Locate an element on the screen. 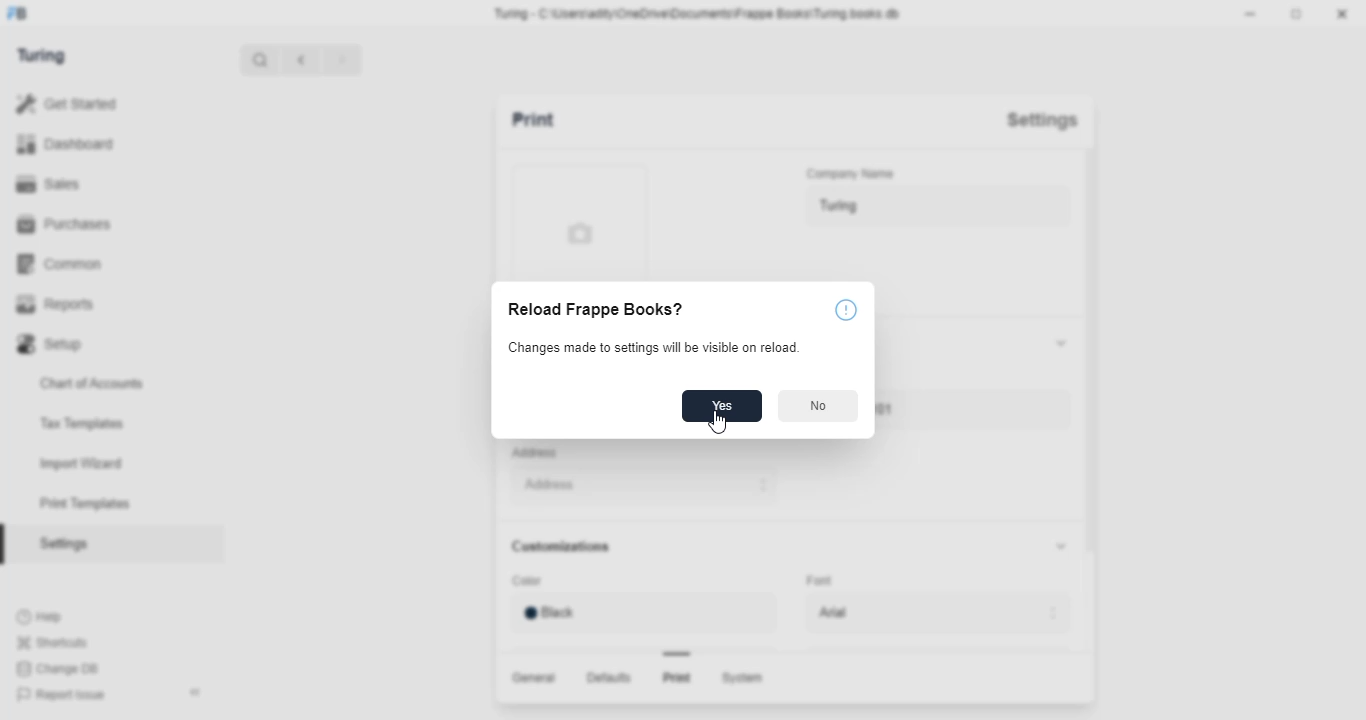  Print Templates is located at coordinates (93, 504).